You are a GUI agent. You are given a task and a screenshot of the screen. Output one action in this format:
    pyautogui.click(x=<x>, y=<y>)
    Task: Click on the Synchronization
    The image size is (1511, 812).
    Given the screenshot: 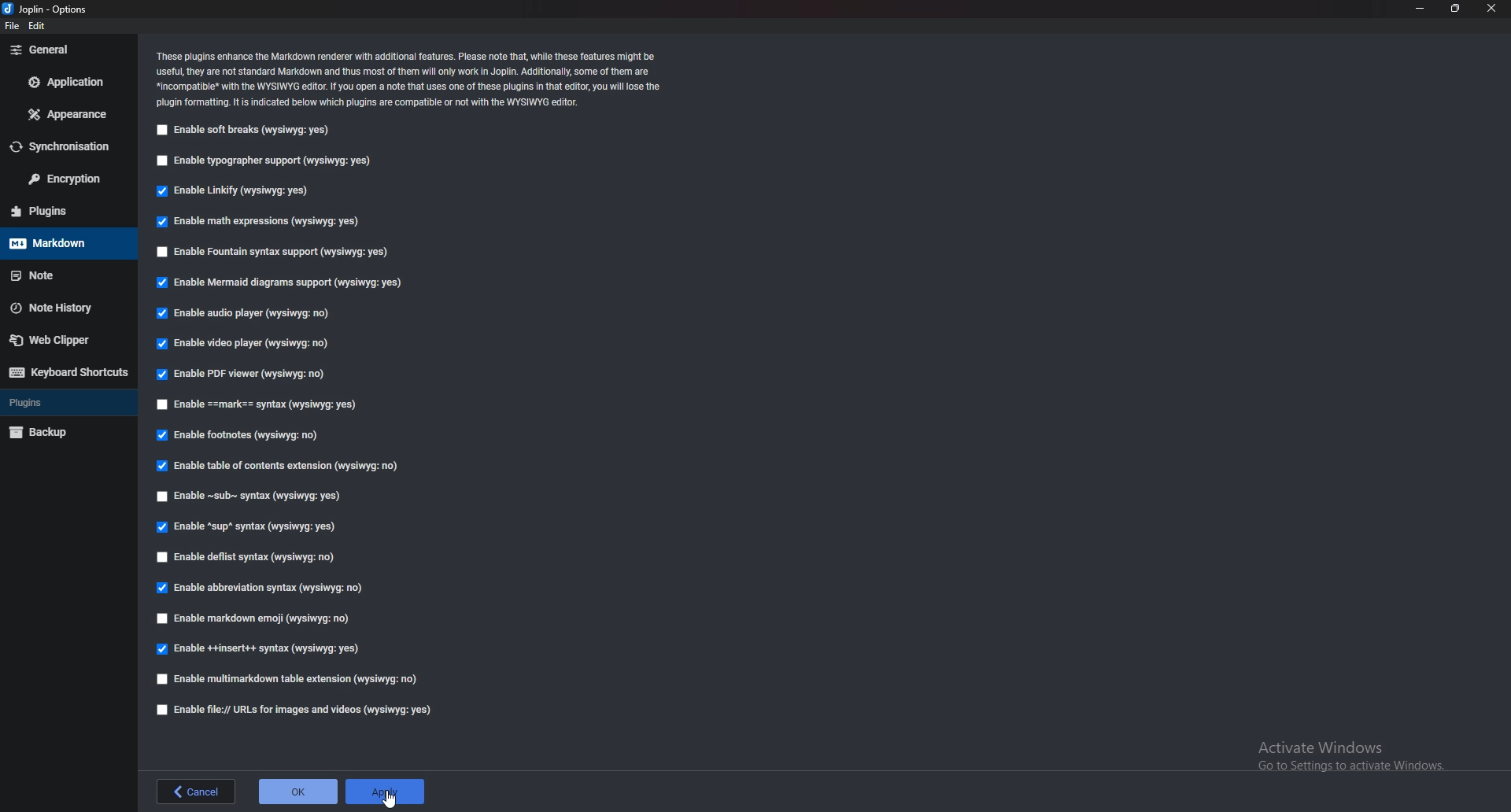 What is the action you would take?
    pyautogui.click(x=67, y=147)
    